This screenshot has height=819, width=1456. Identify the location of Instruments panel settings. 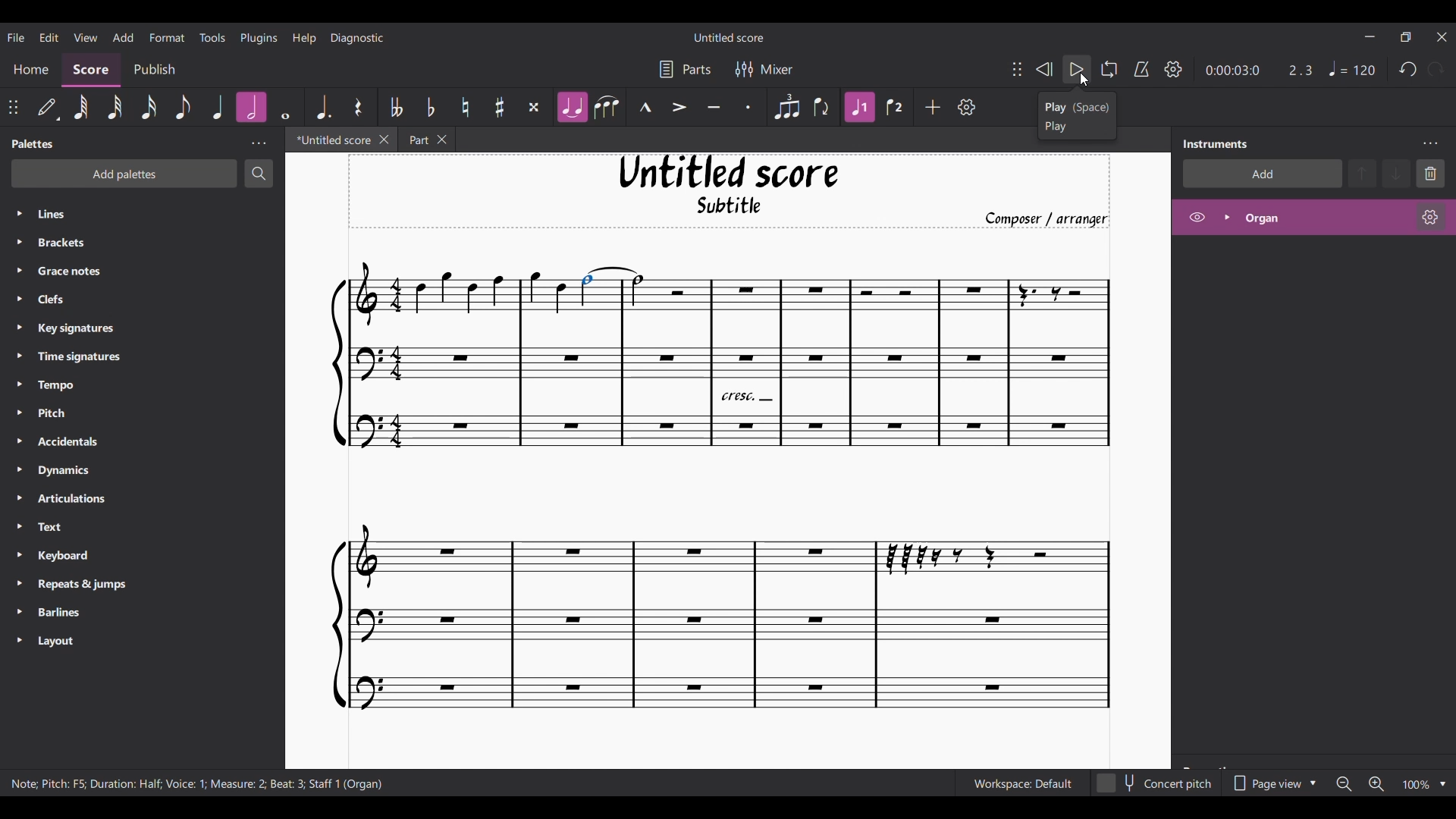
(1430, 144).